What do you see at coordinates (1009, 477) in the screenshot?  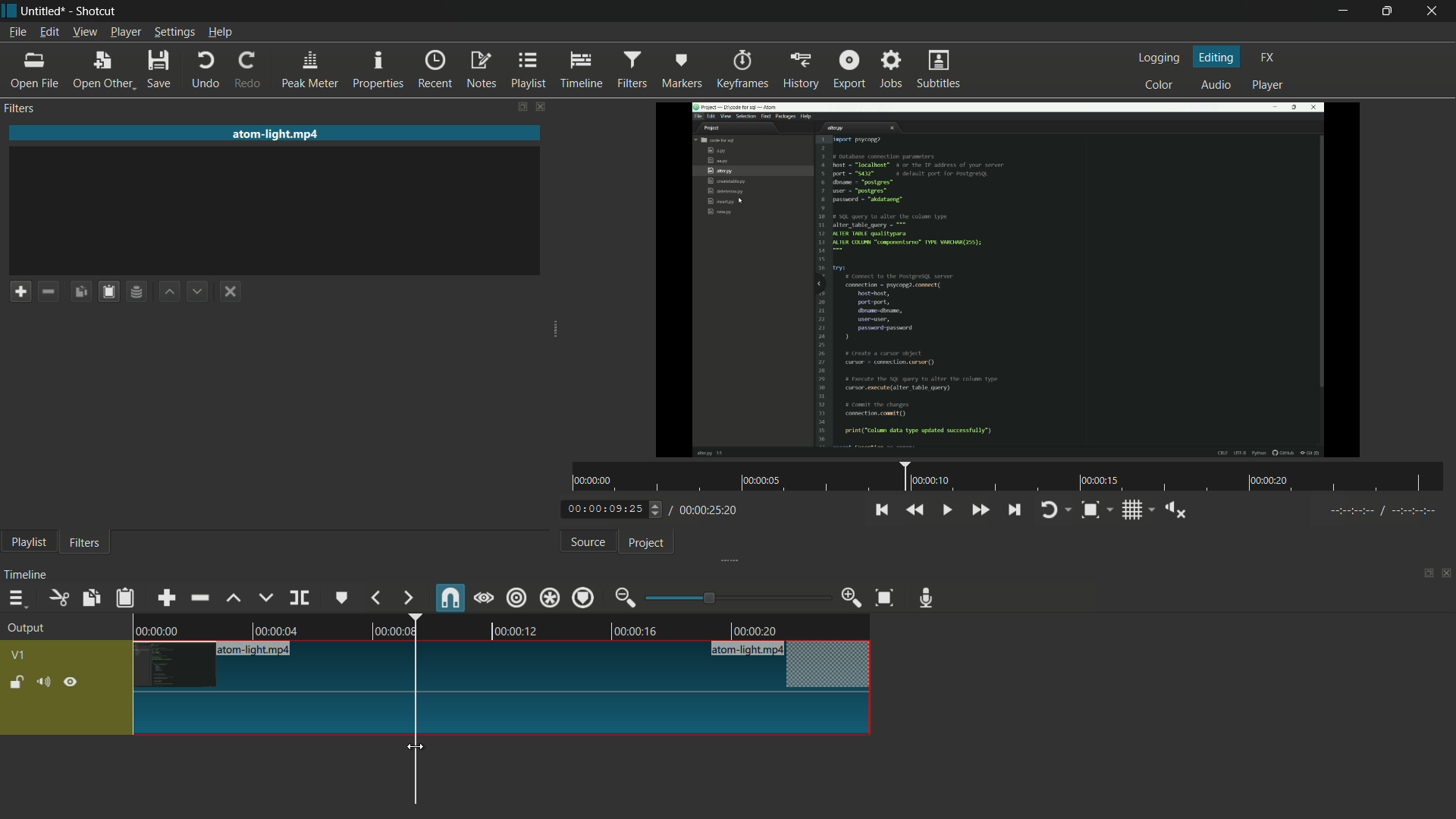 I see `time` at bounding box center [1009, 477].